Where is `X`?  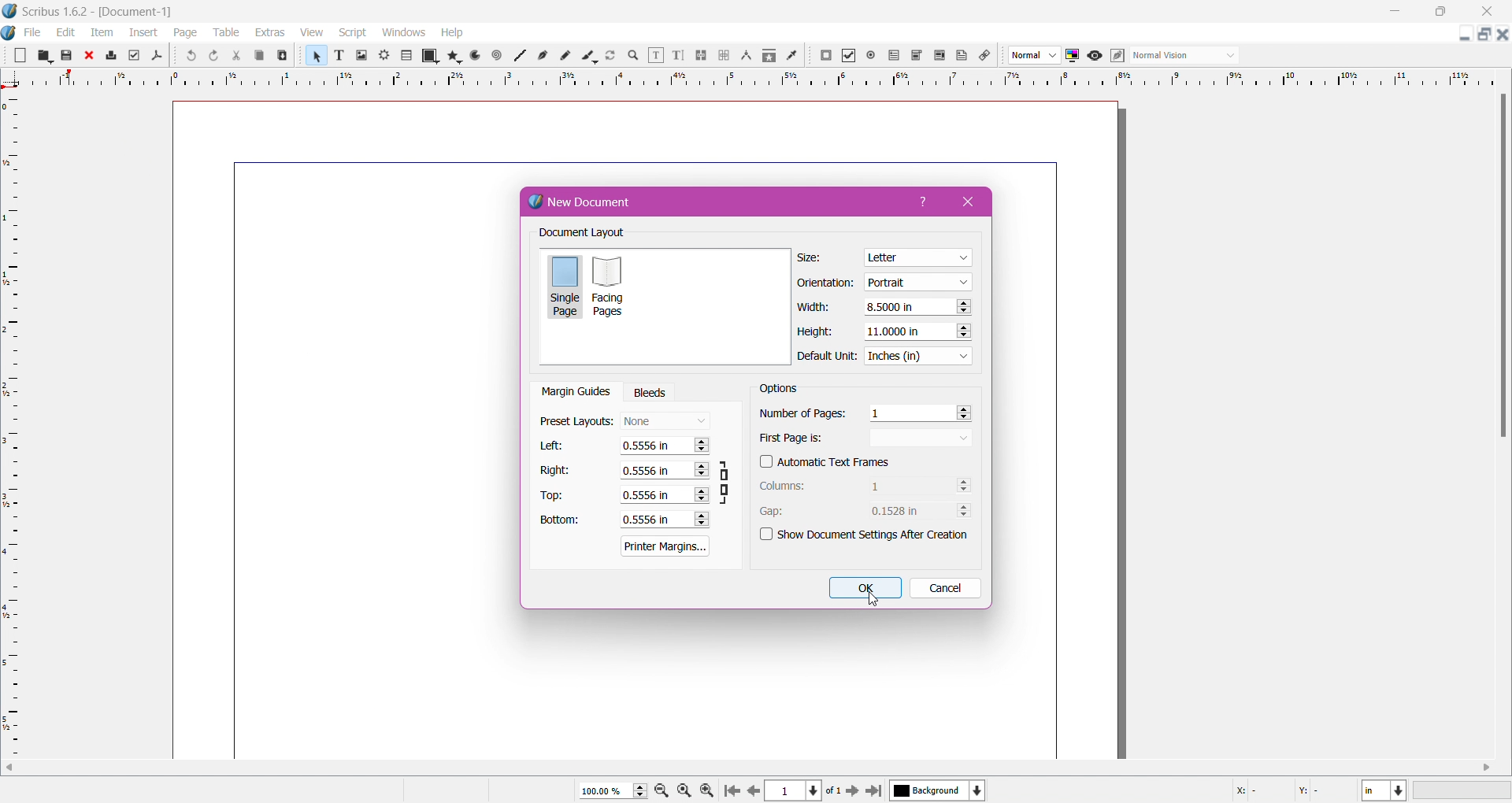
X is located at coordinates (1247, 793).